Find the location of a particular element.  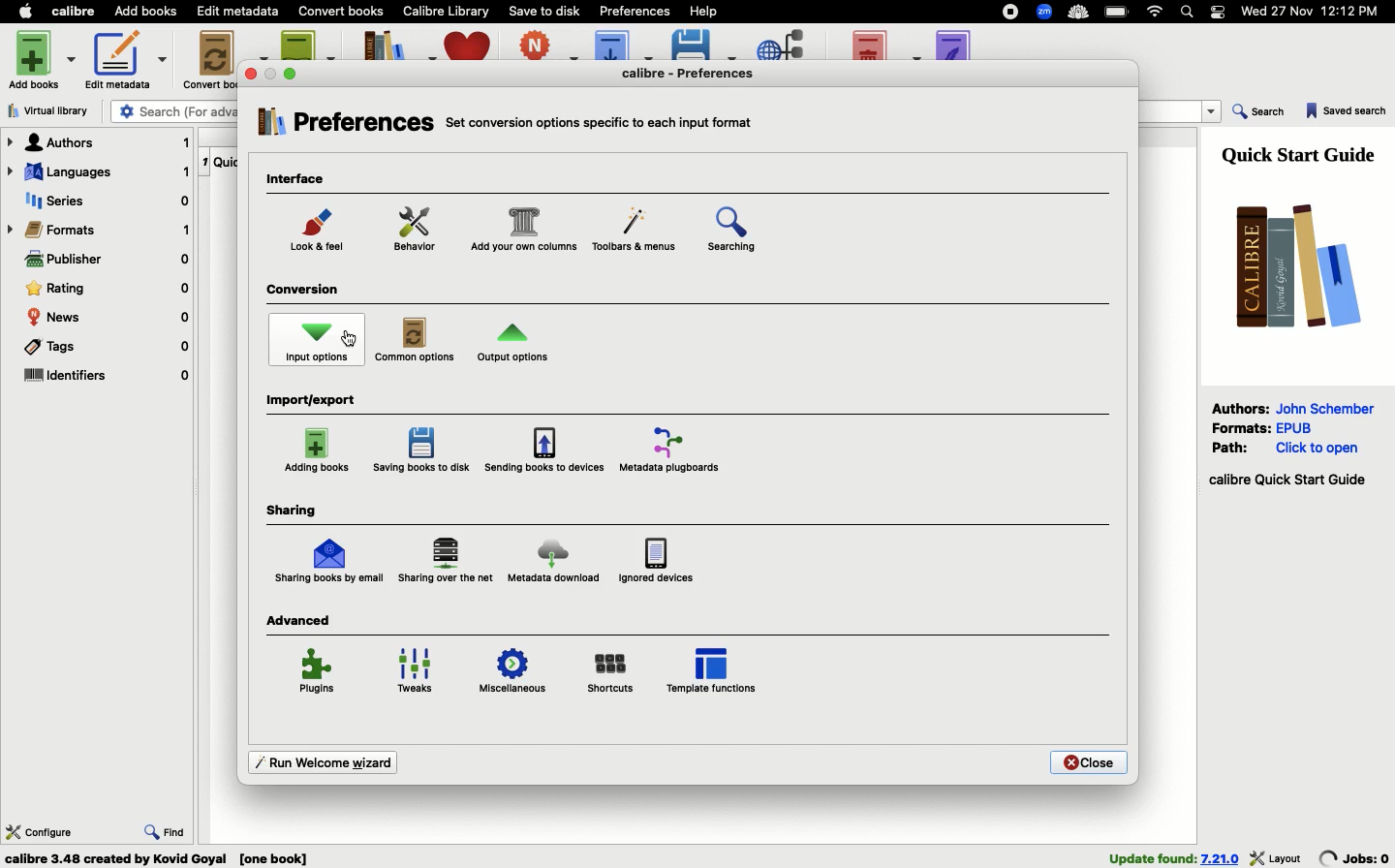

Searching is located at coordinates (744, 233).